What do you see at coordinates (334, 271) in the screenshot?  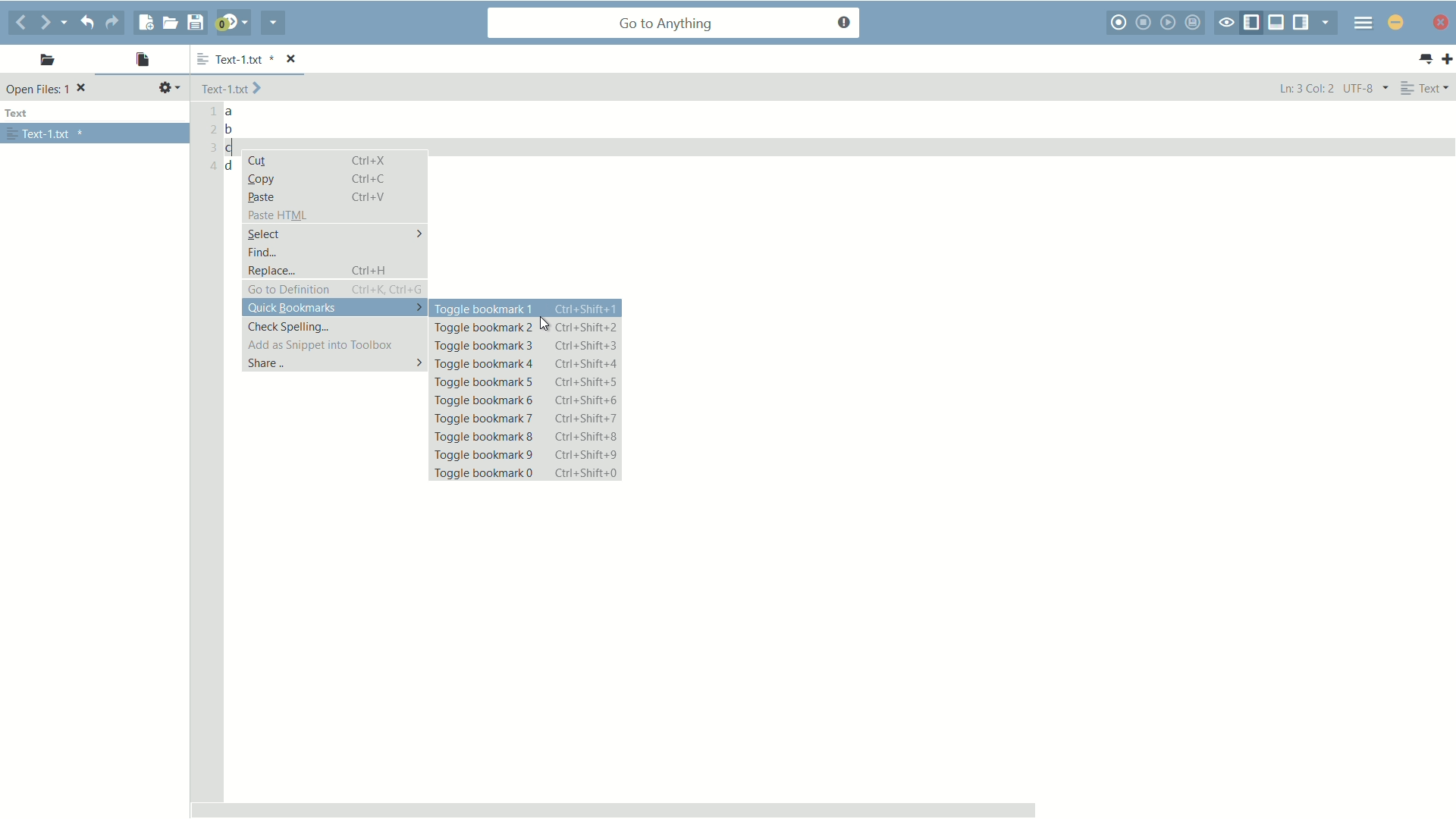 I see `replace` at bounding box center [334, 271].